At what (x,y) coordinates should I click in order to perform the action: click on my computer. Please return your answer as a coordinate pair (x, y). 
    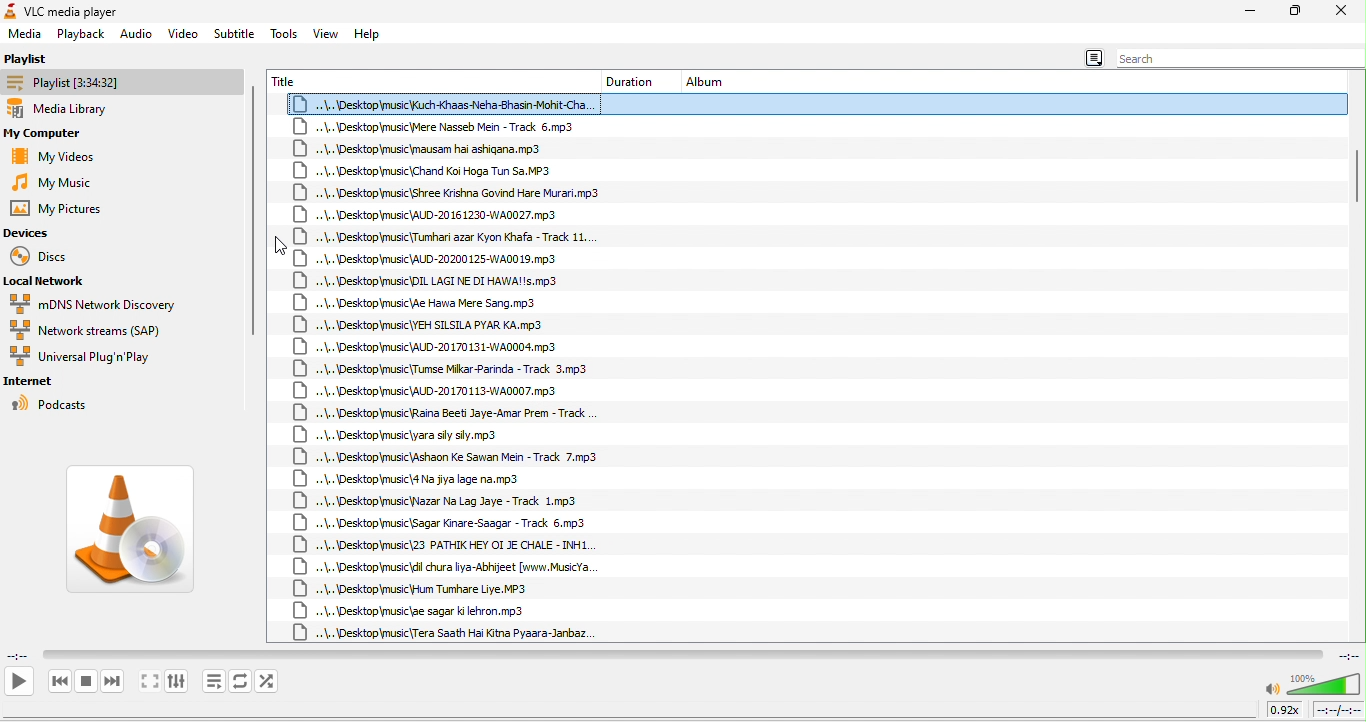
    Looking at the image, I should click on (59, 134).